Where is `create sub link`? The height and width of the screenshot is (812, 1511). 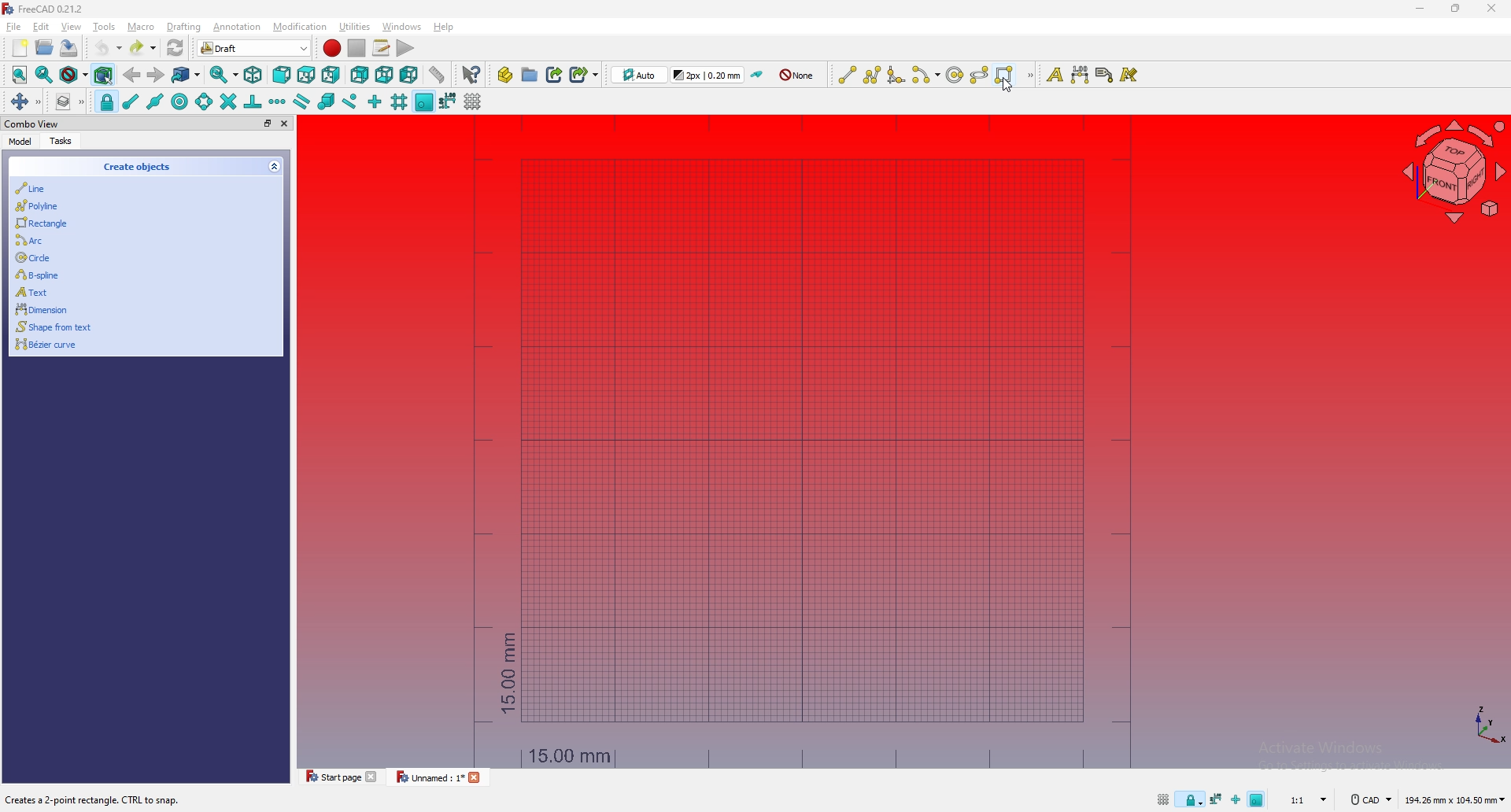 create sub link is located at coordinates (583, 74).